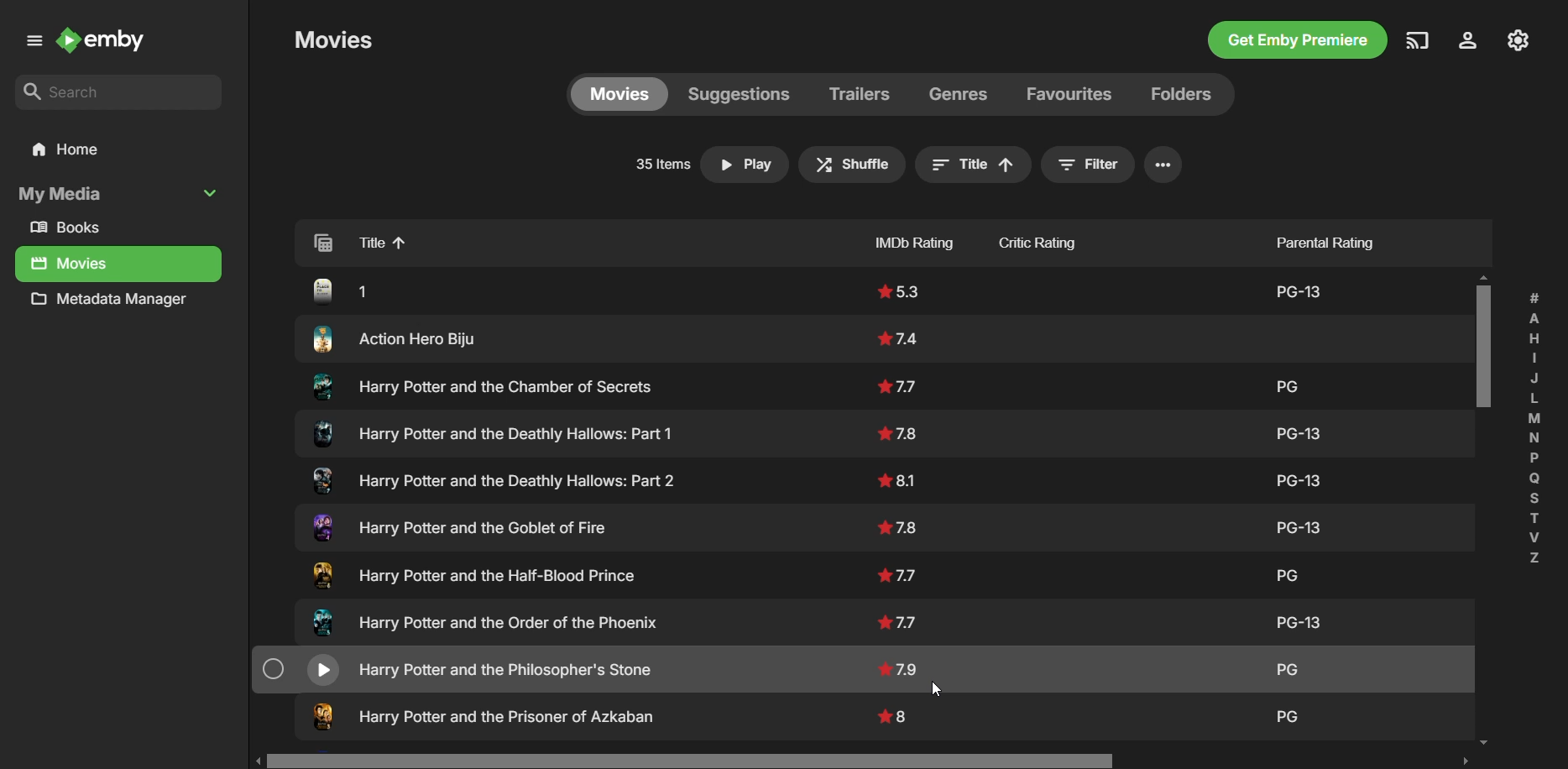 This screenshot has height=769, width=1568. I want to click on , so click(1299, 428).